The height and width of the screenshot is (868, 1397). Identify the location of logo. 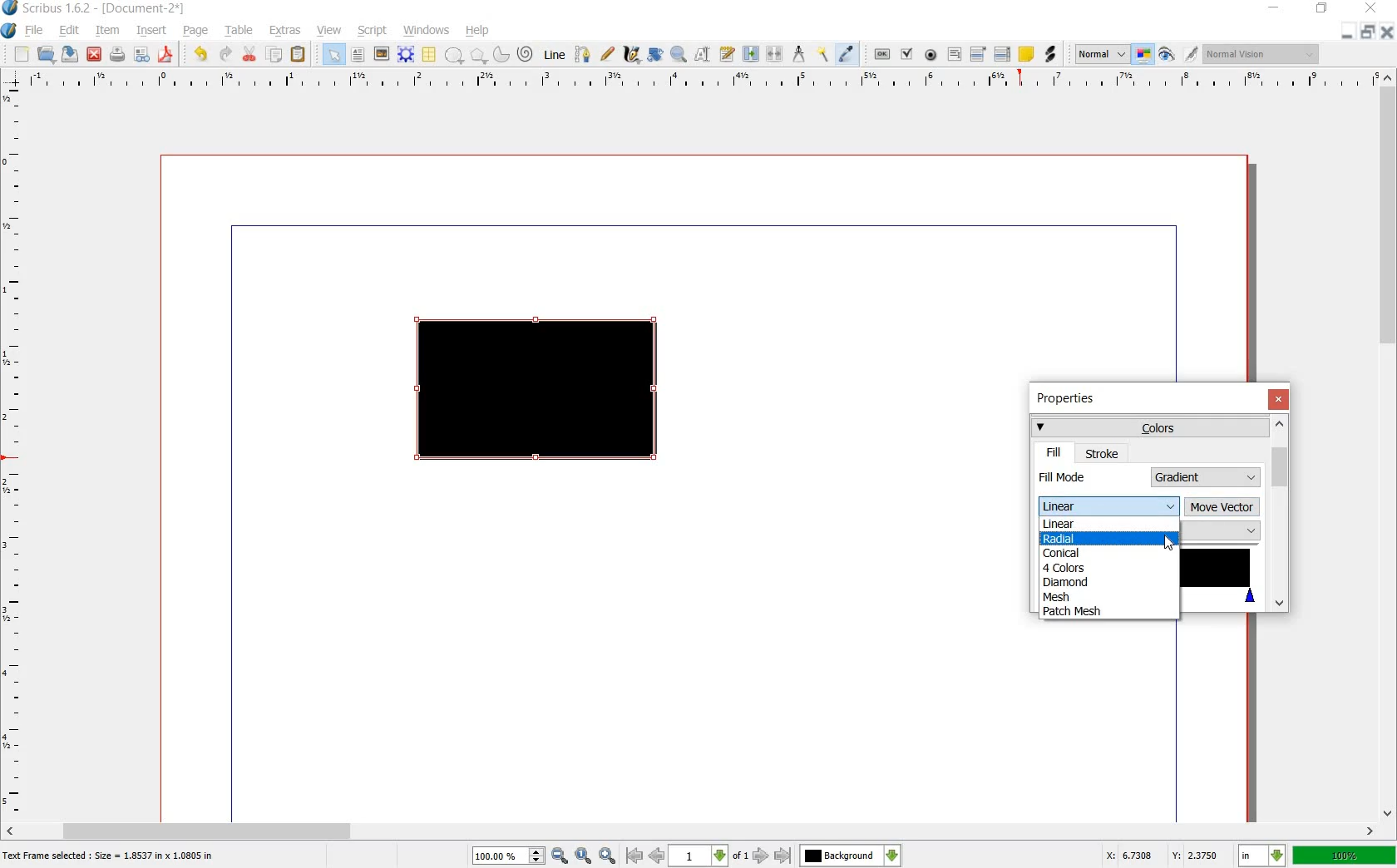
(11, 9).